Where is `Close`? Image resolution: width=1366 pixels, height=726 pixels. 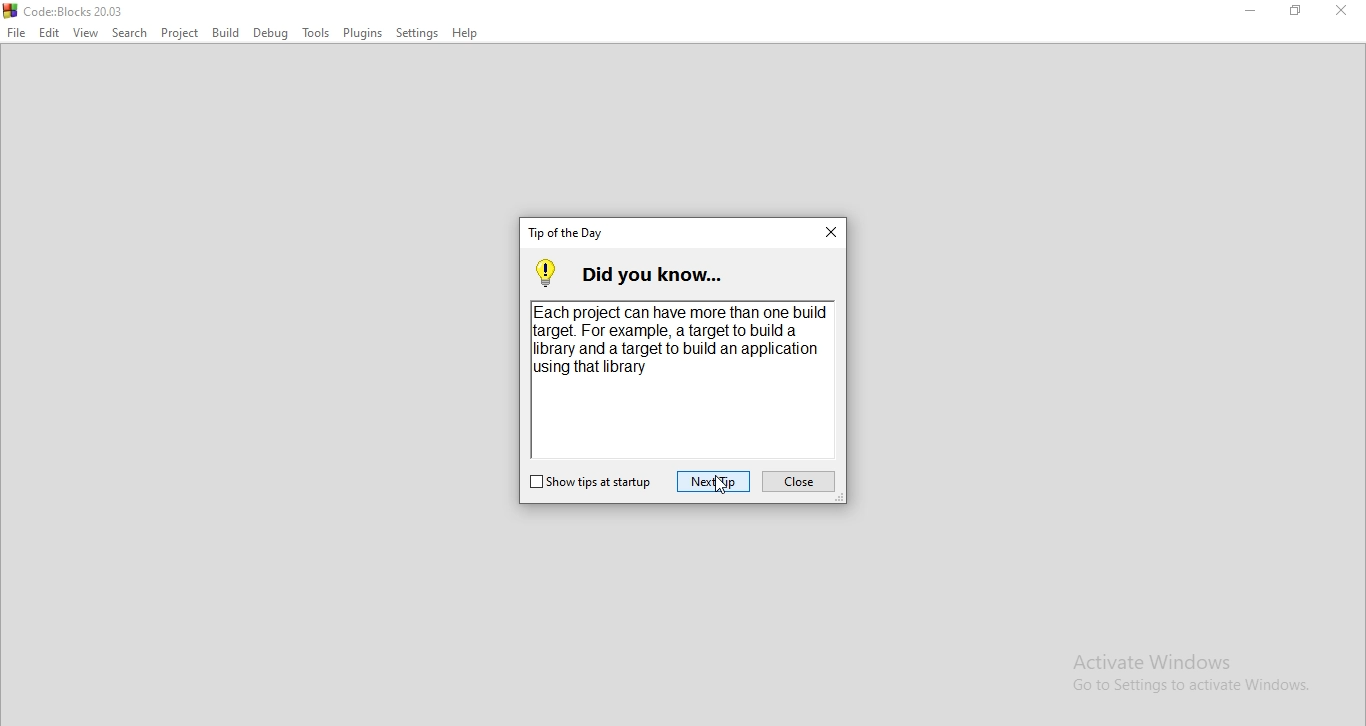
Close is located at coordinates (1337, 11).